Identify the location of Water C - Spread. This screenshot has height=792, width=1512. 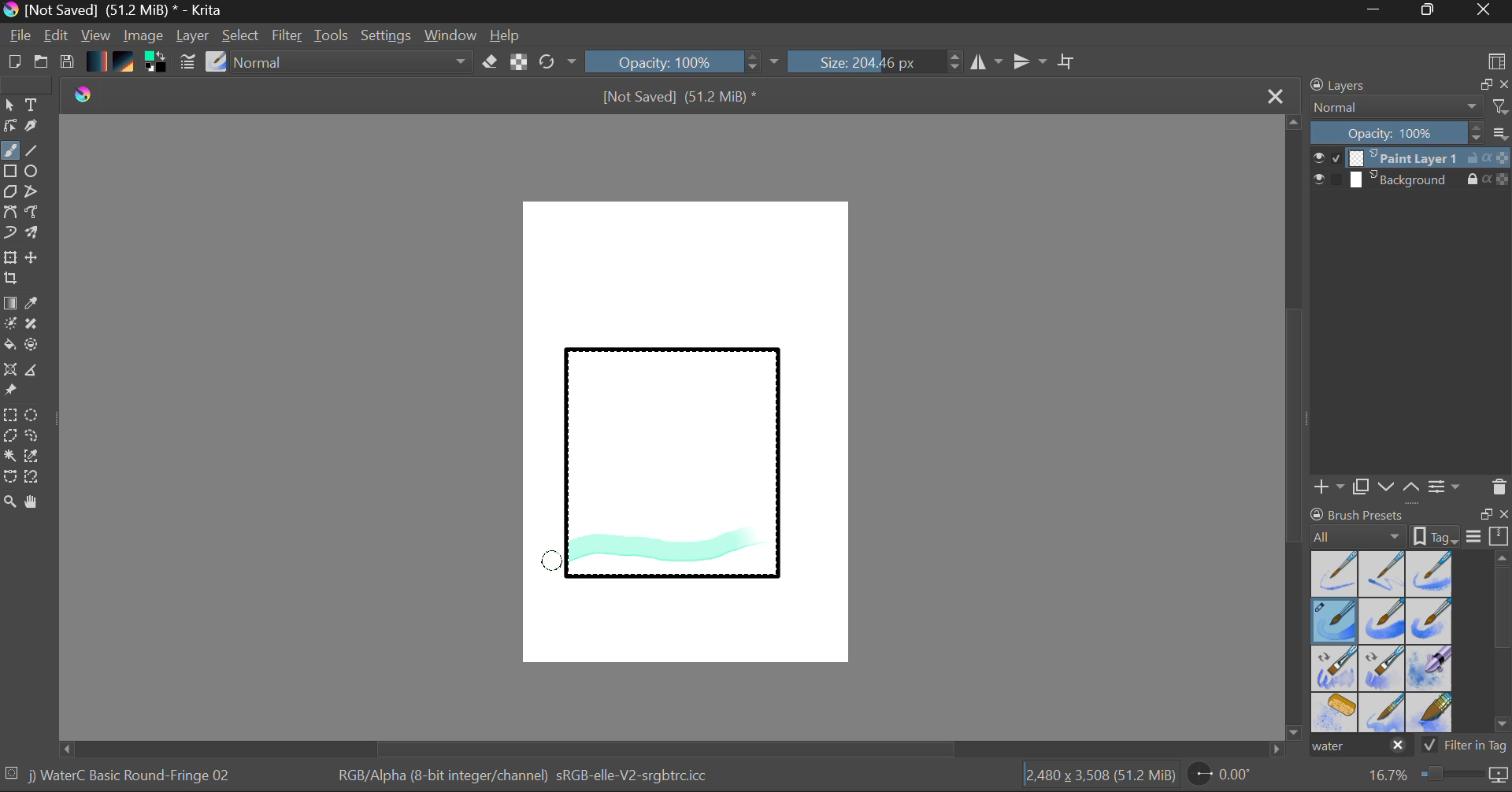
(1384, 712).